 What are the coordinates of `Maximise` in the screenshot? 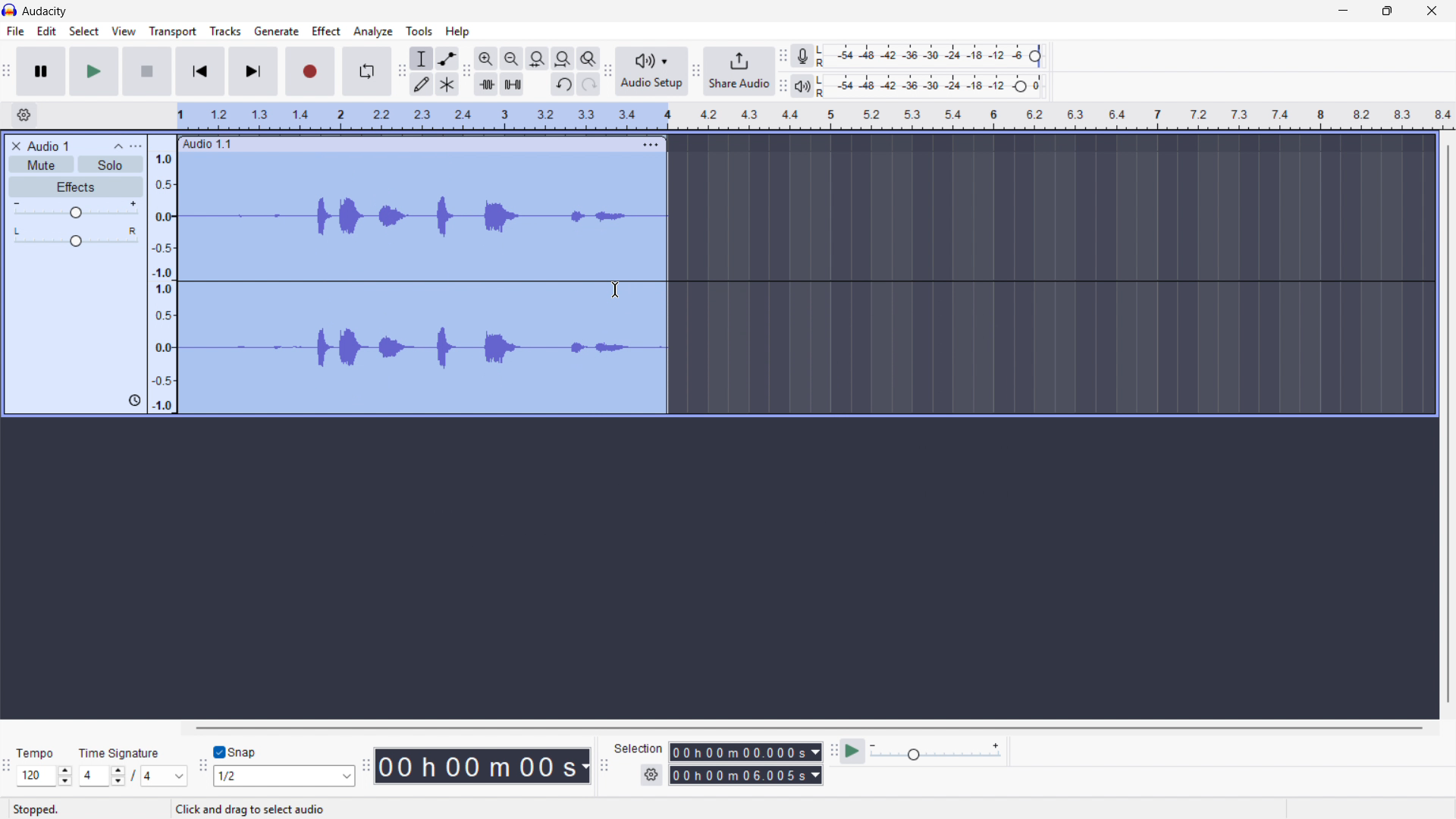 It's located at (1389, 11).